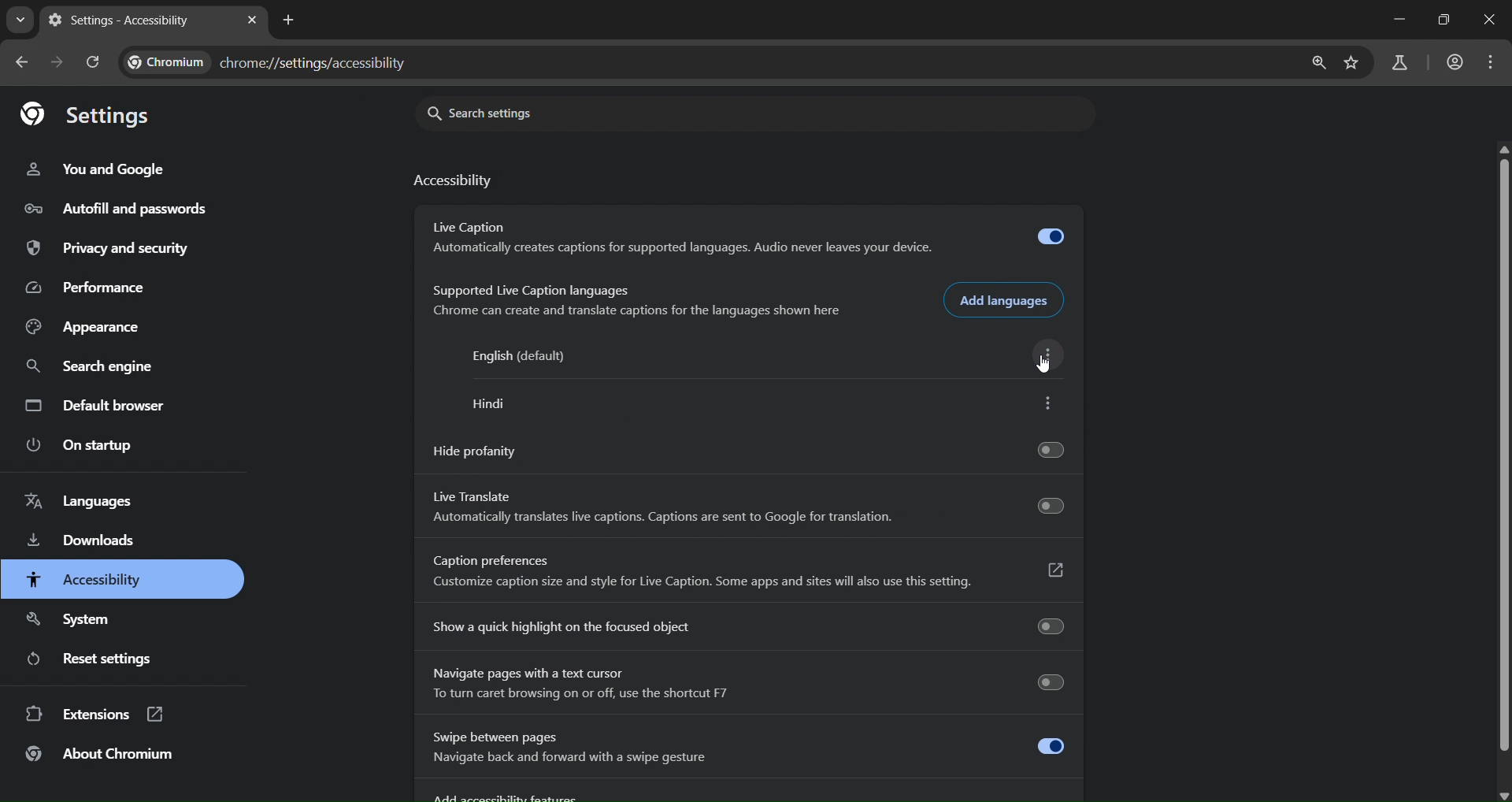 The height and width of the screenshot is (802, 1512). I want to click on hide profanity, so click(747, 451).